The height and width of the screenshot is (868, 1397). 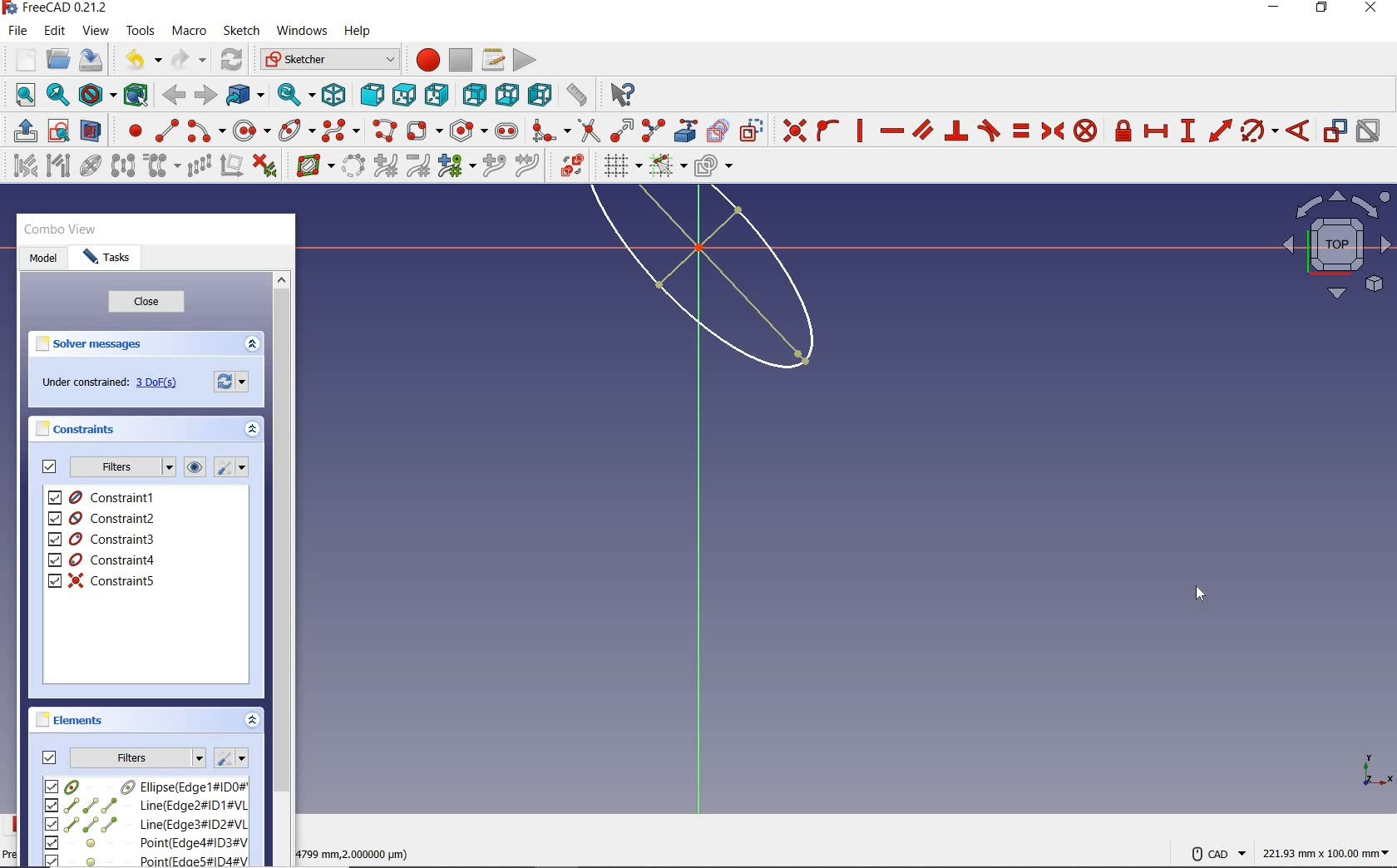 I want to click on switch between workbenches, so click(x=329, y=60).